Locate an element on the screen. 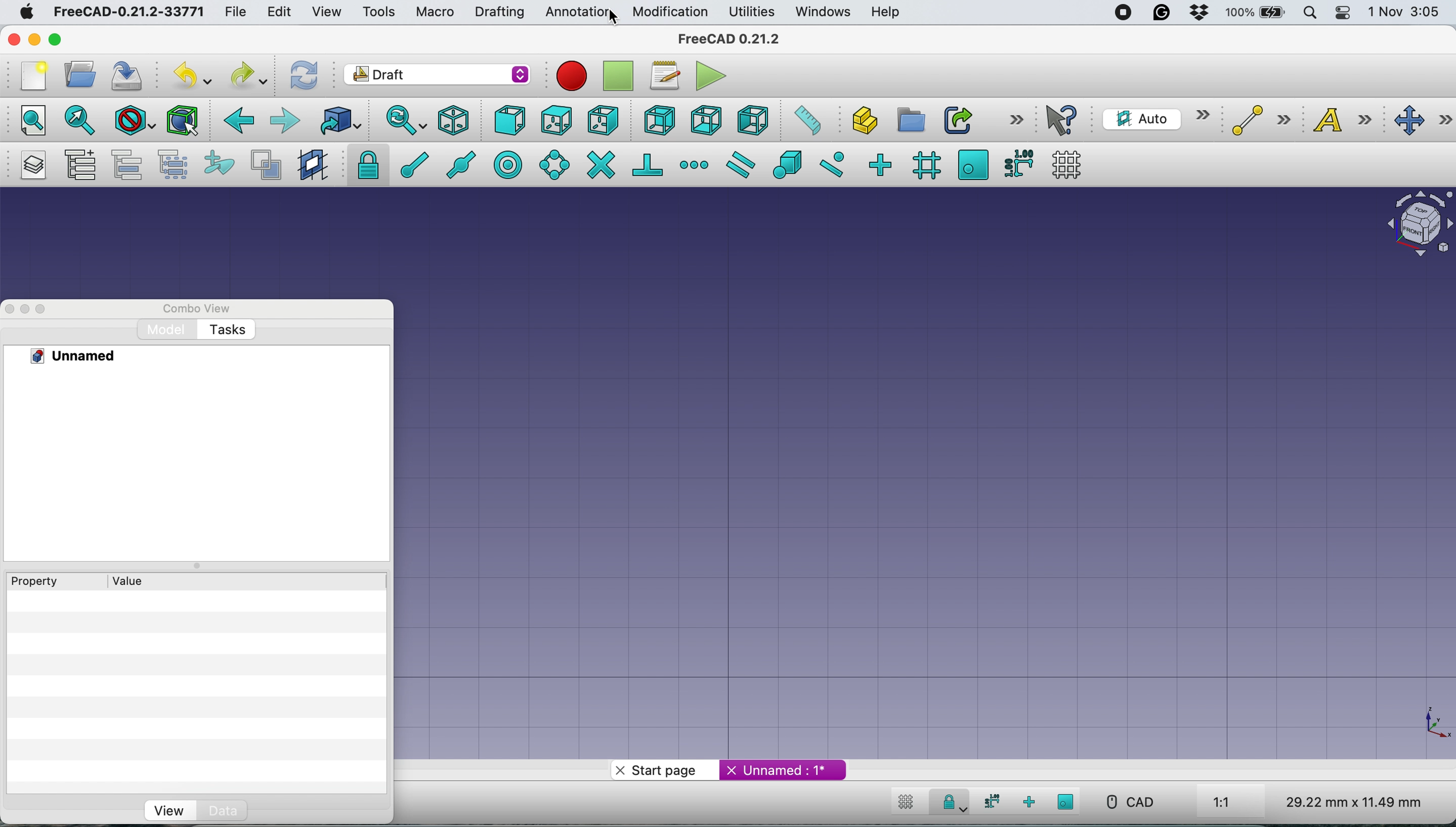  toggle grid is located at coordinates (1067, 165).